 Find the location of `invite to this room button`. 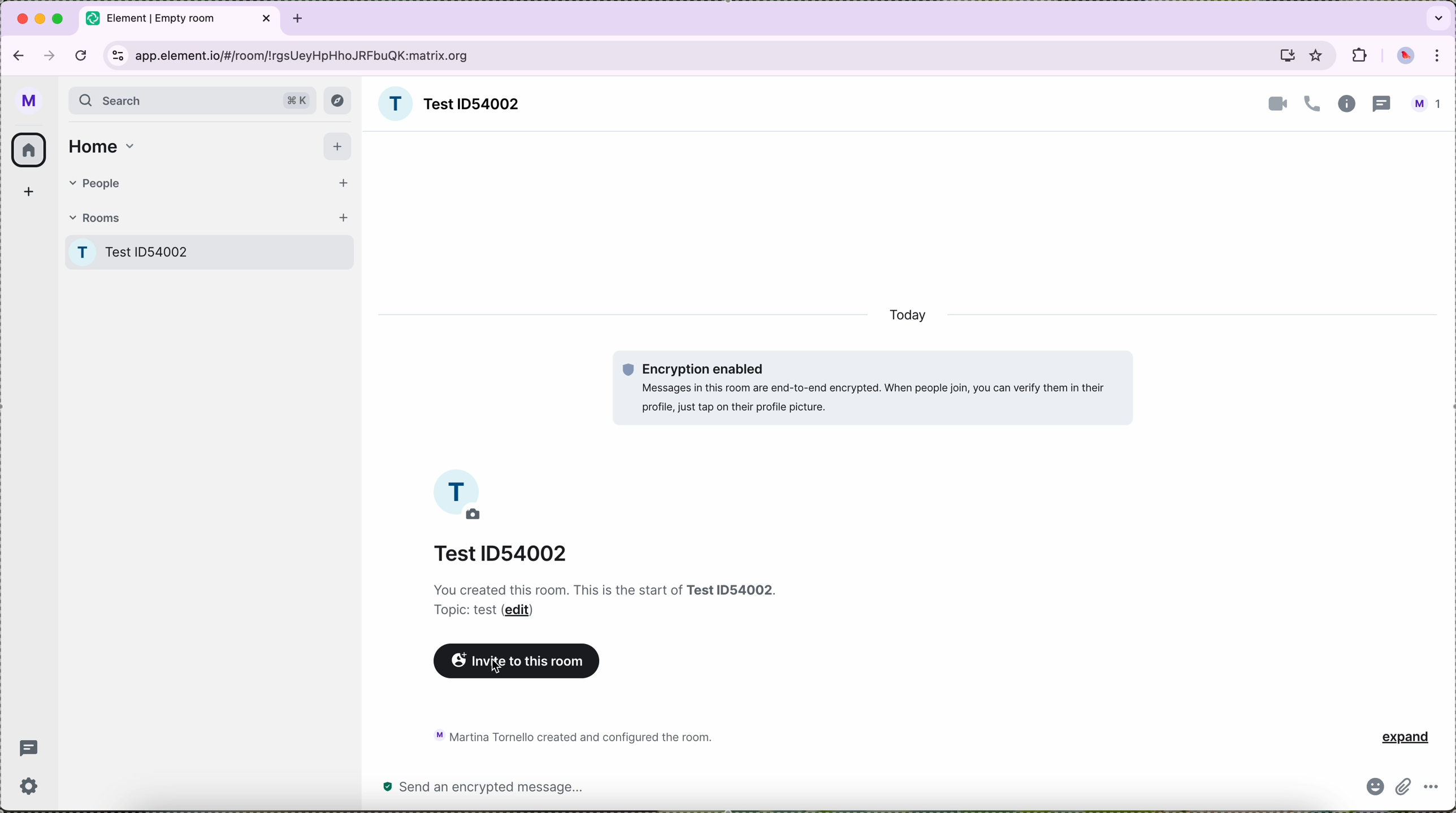

invite to this room button is located at coordinates (517, 660).